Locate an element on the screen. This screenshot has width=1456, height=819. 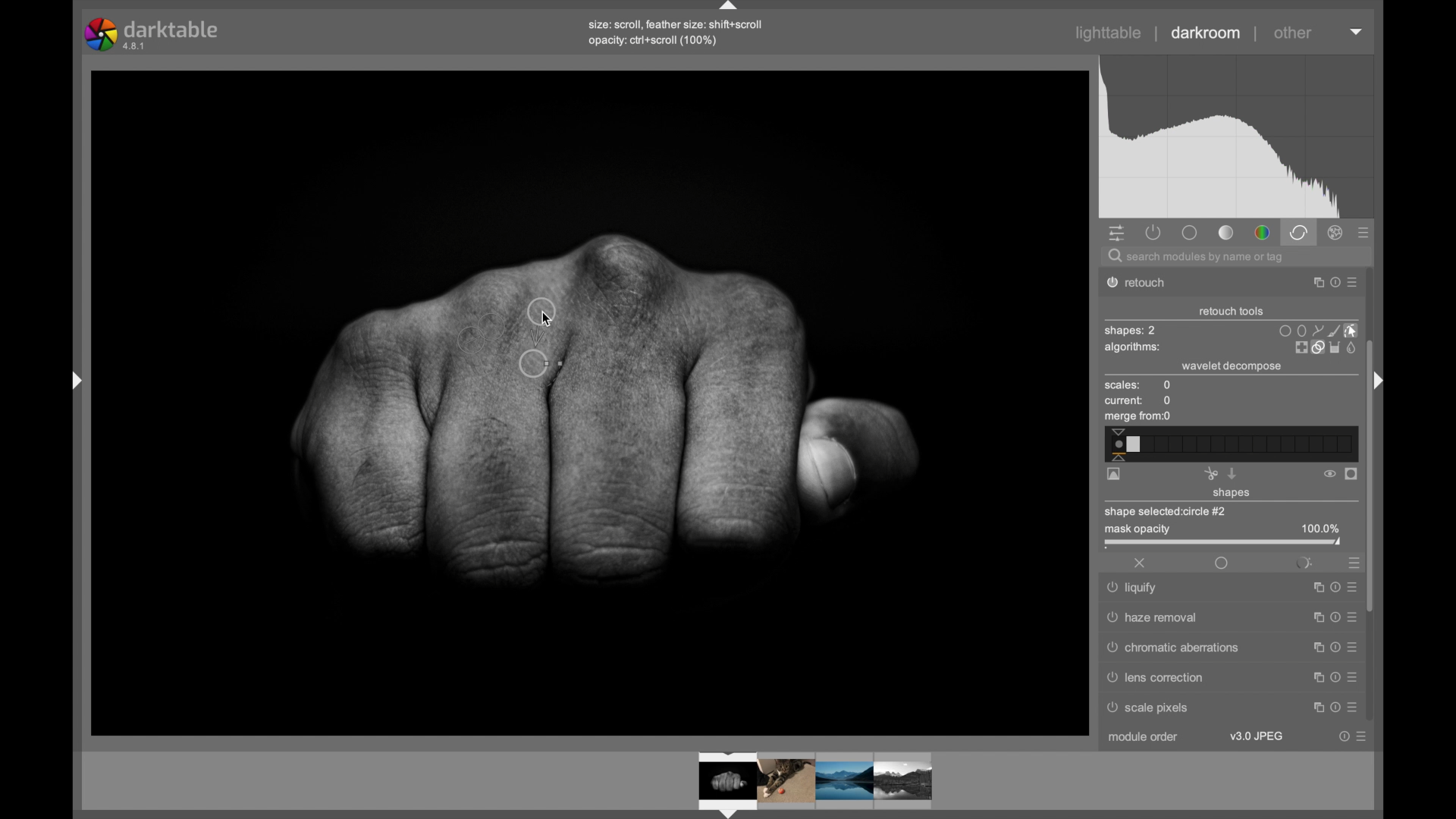
shape selected:circle #2 is located at coordinates (1171, 511).